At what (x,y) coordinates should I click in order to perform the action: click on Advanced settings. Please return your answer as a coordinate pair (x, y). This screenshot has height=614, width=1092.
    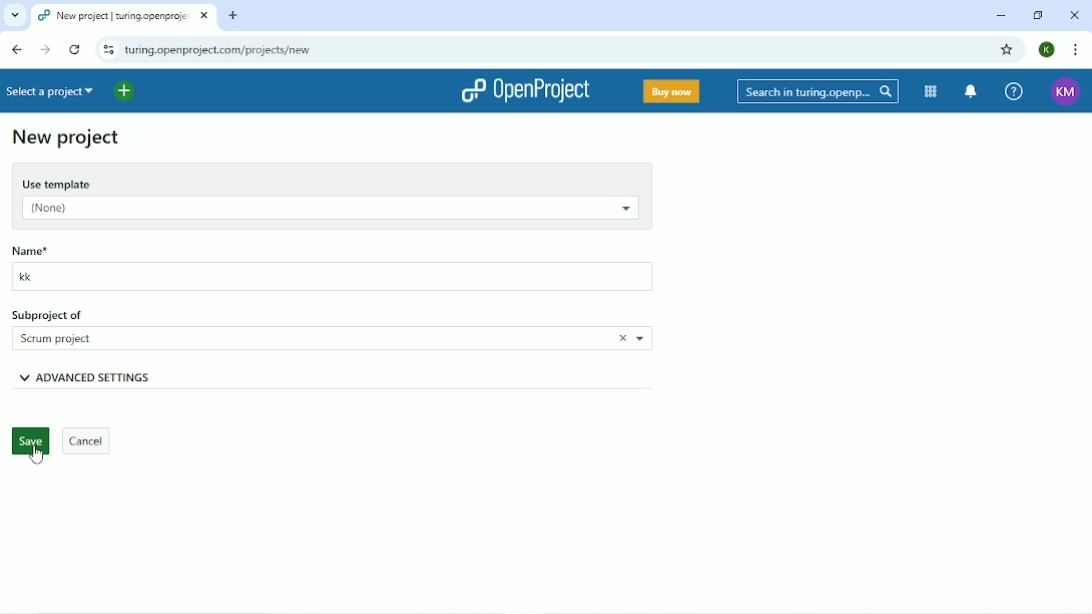
    Looking at the image, I should click on (124, 377).